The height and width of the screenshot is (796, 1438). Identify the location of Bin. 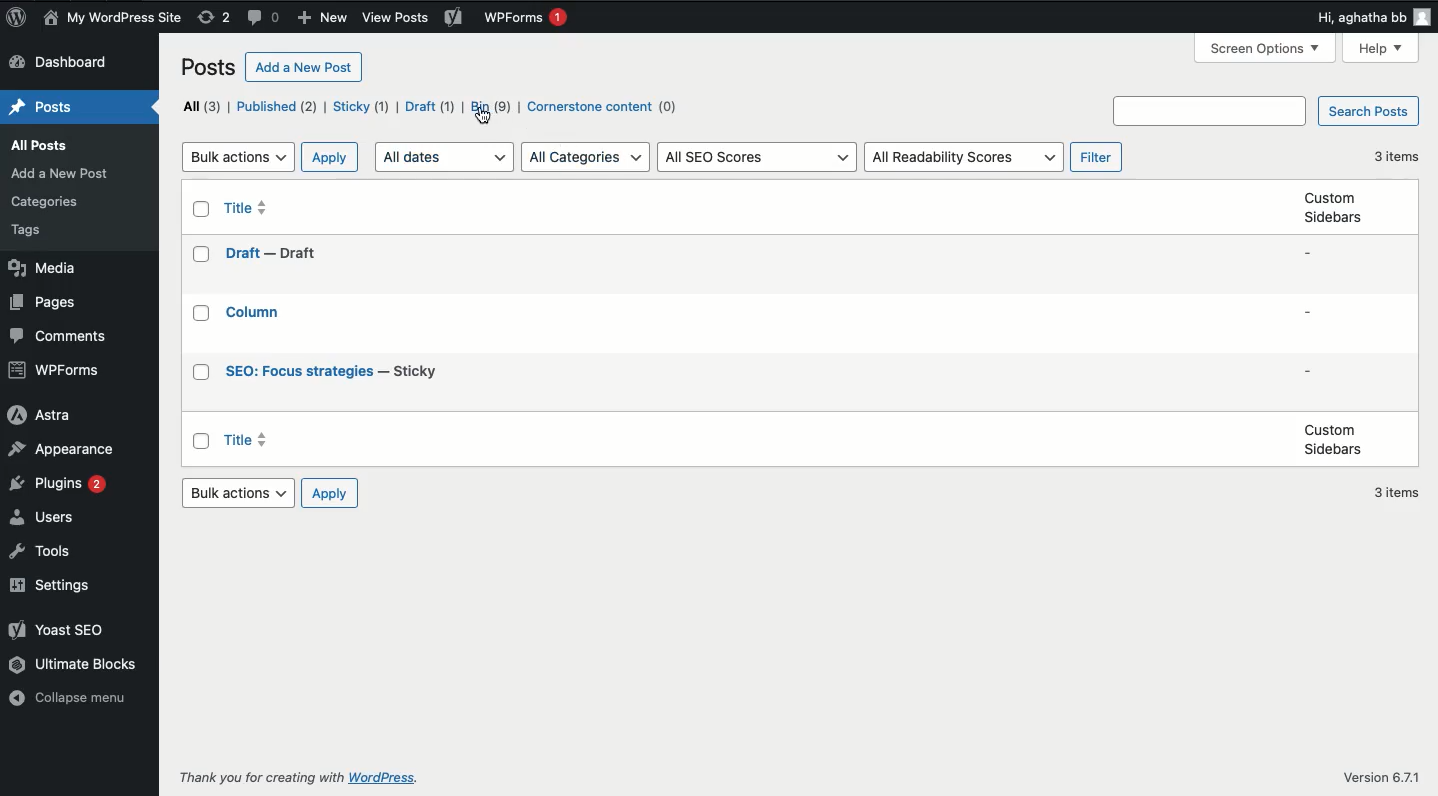
(491, 107).